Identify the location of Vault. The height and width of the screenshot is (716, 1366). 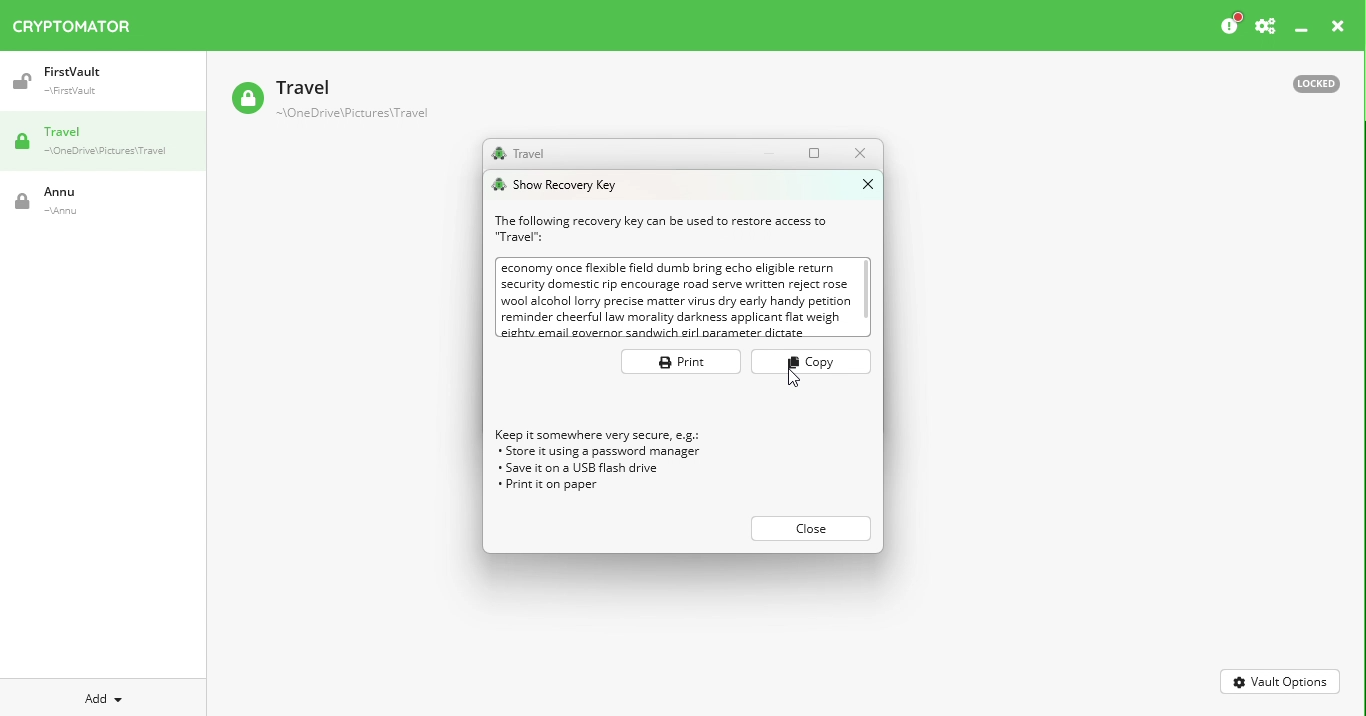
(93, 81).